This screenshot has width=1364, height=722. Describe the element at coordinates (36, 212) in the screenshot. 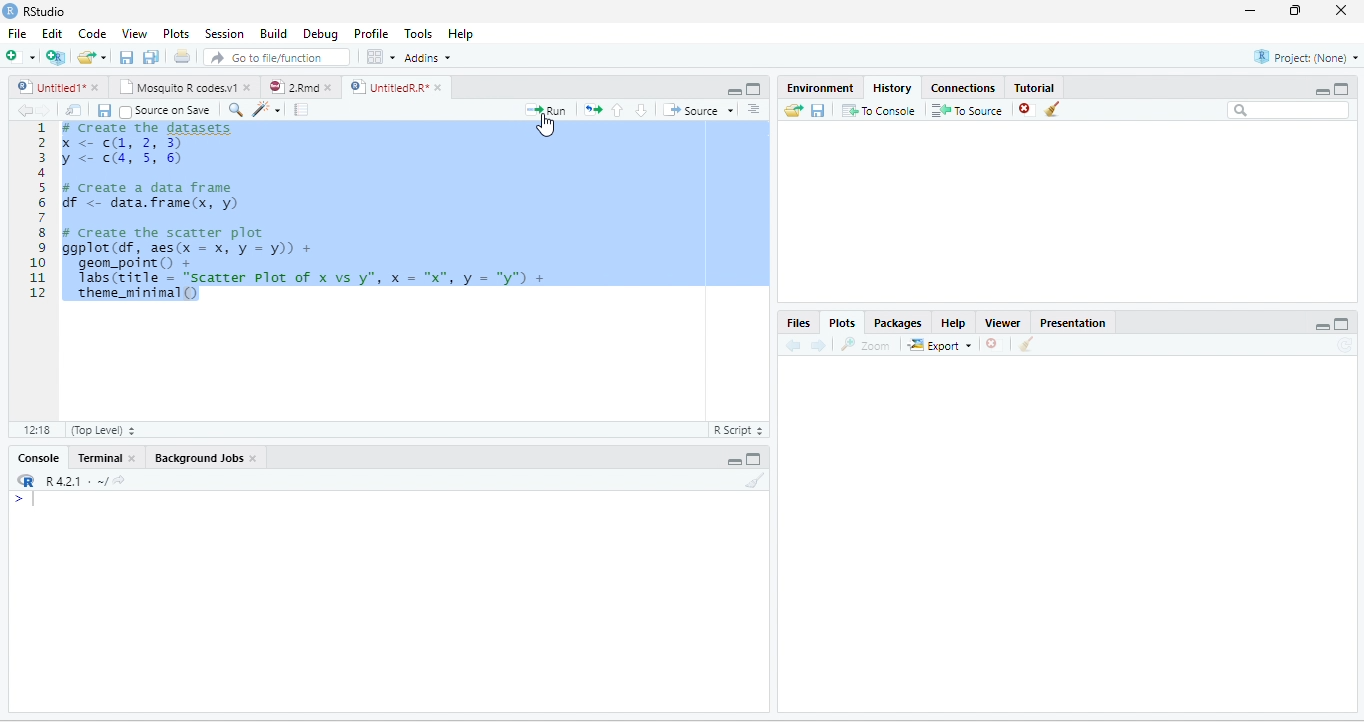

I see `Line numbers` at that location.